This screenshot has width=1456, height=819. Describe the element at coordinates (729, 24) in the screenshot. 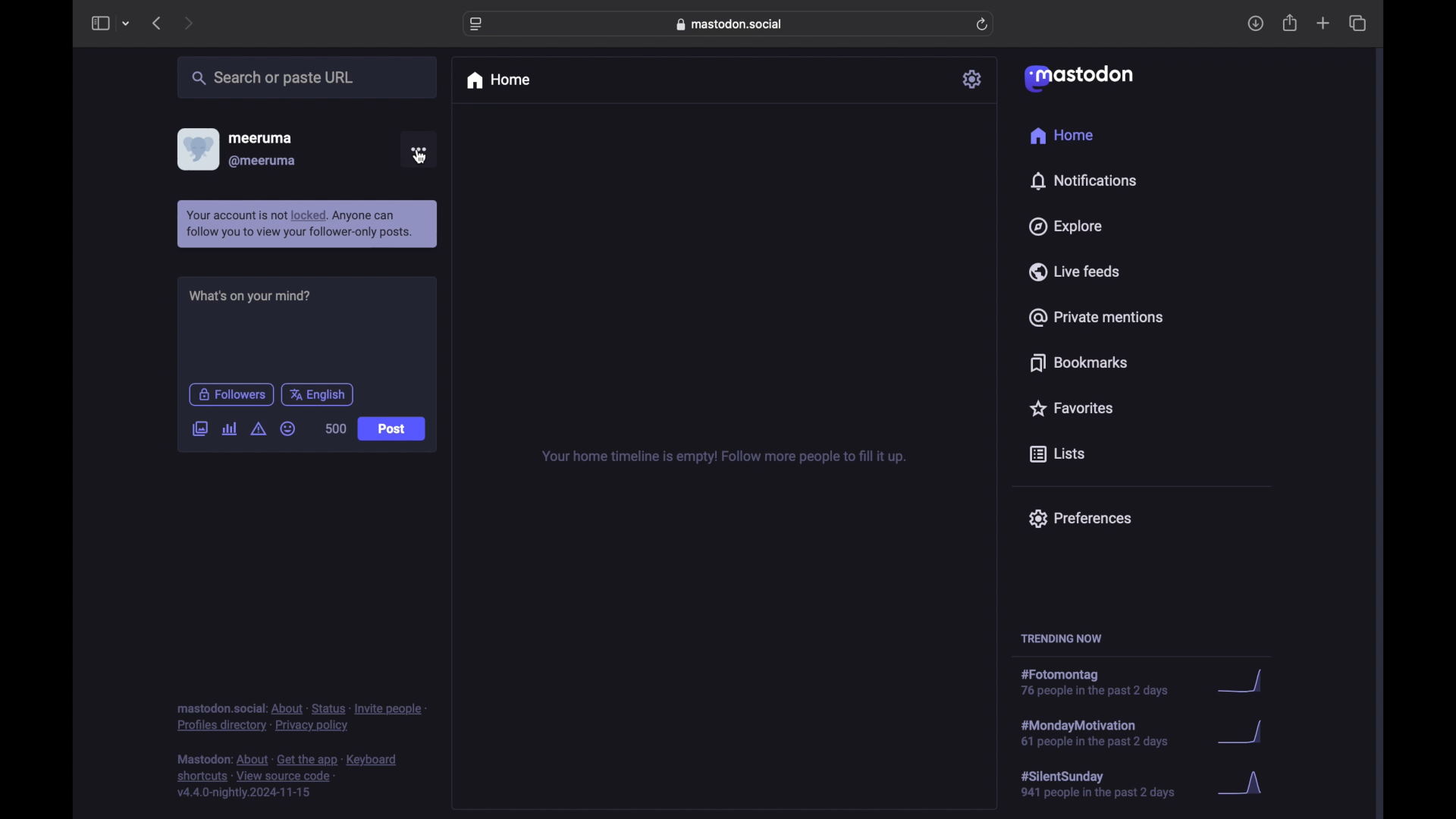

I see `web address` at that location.